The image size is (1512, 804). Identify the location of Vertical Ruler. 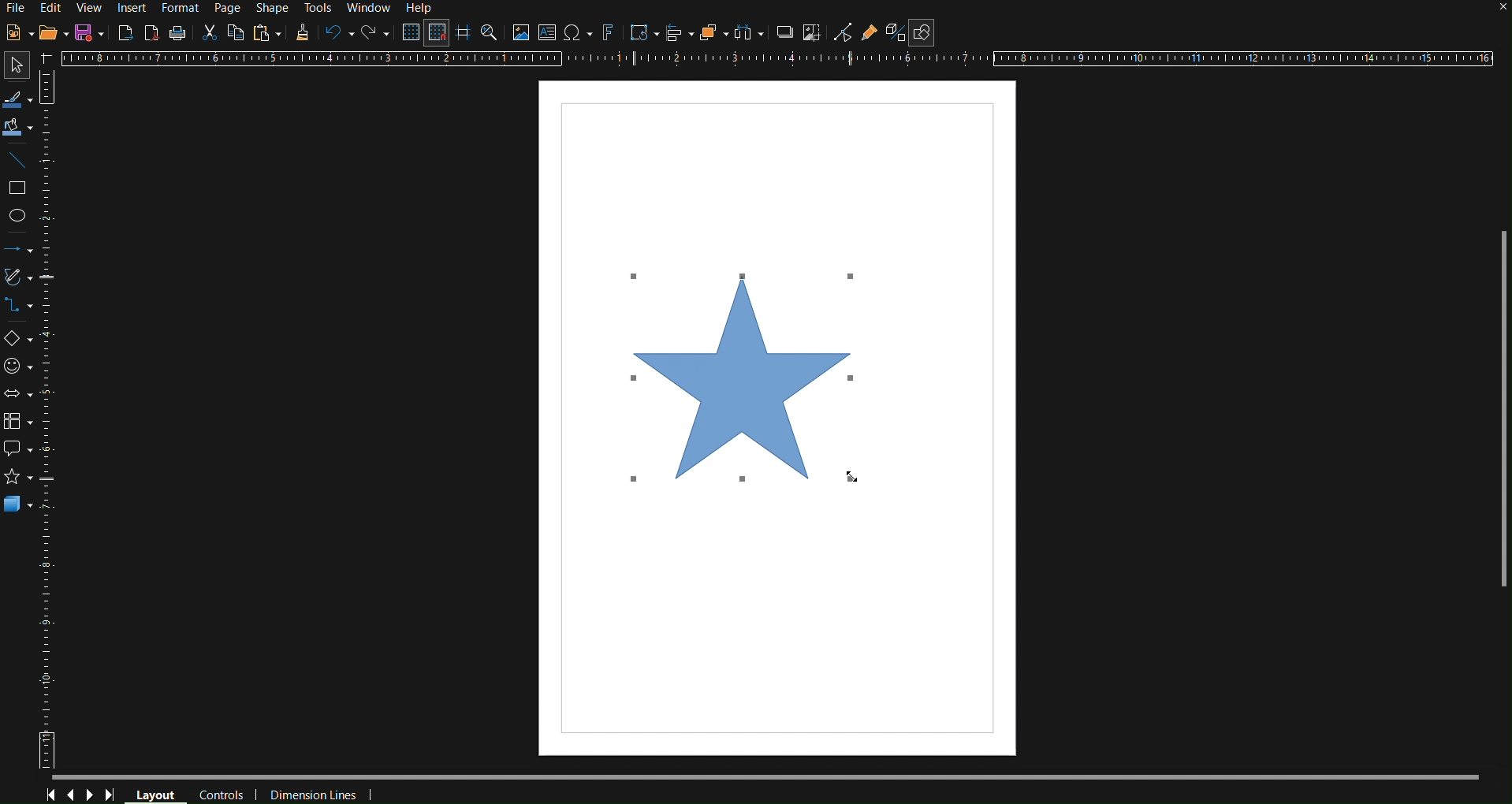
(53, 419).